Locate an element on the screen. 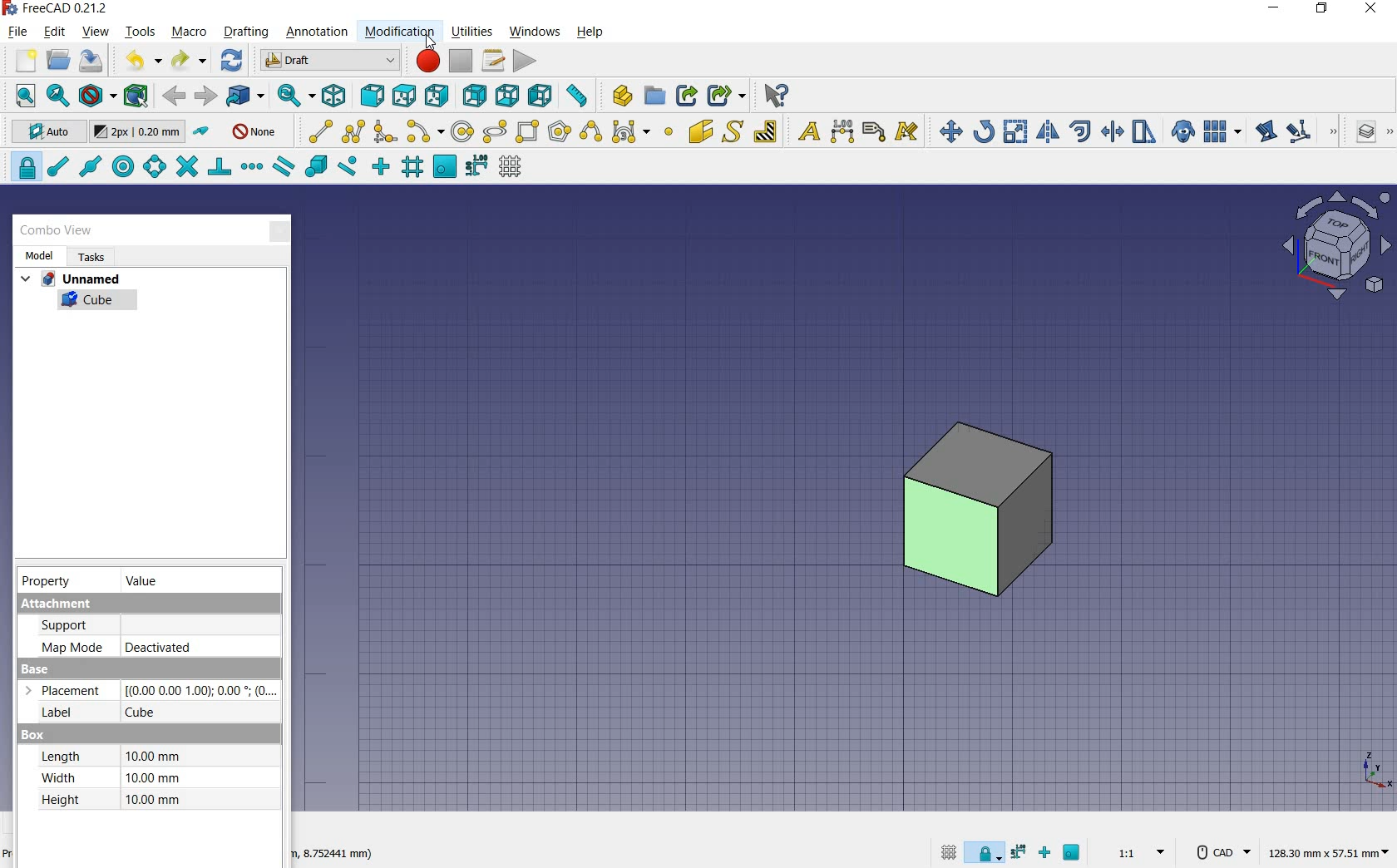 Image resolution: width=1397 pixels, height=868 pixels. Width: 10.00 mm is located at coordinates (110, 778).